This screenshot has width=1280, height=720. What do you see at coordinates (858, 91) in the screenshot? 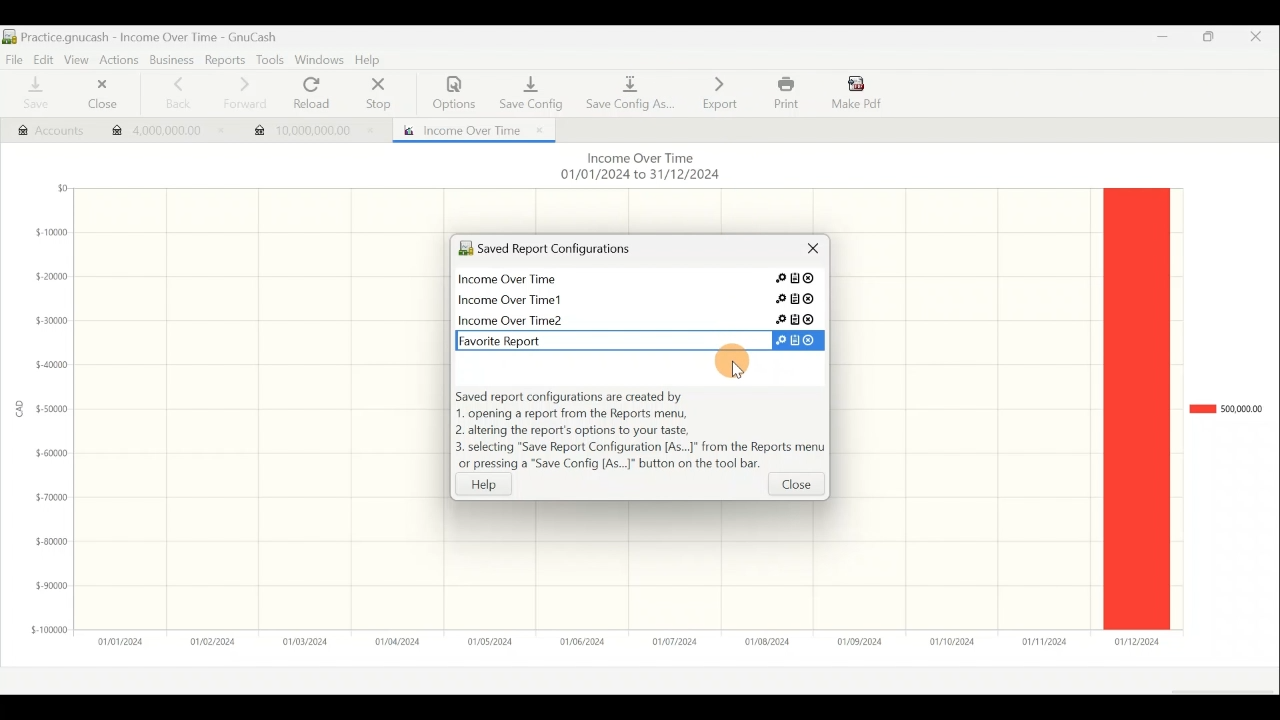
I see `Make Pdf` at bounding box center [858, 91].